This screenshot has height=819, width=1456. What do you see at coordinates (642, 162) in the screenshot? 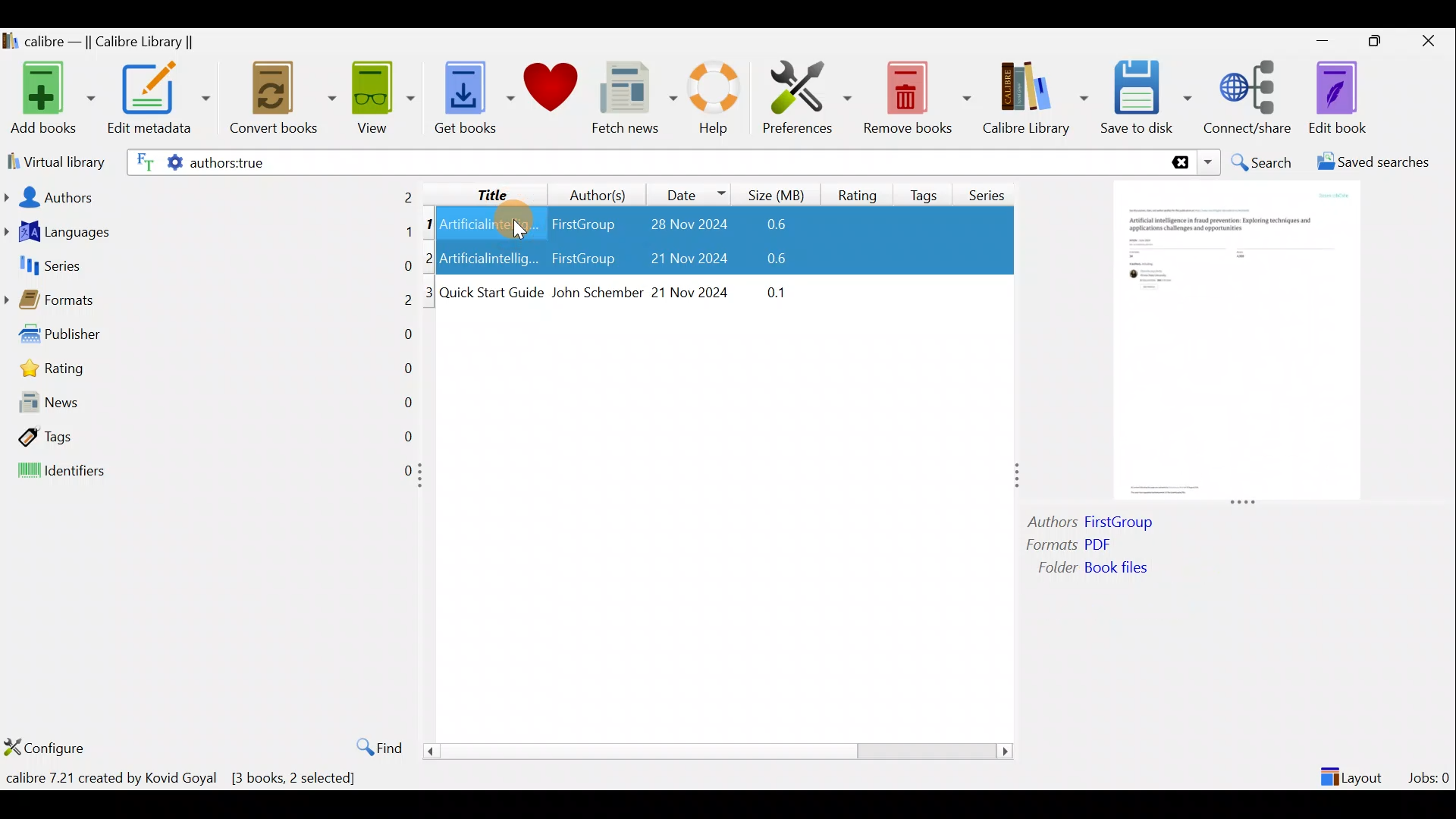
I see `Search by - authors:true` at bounding box center [642, 162].